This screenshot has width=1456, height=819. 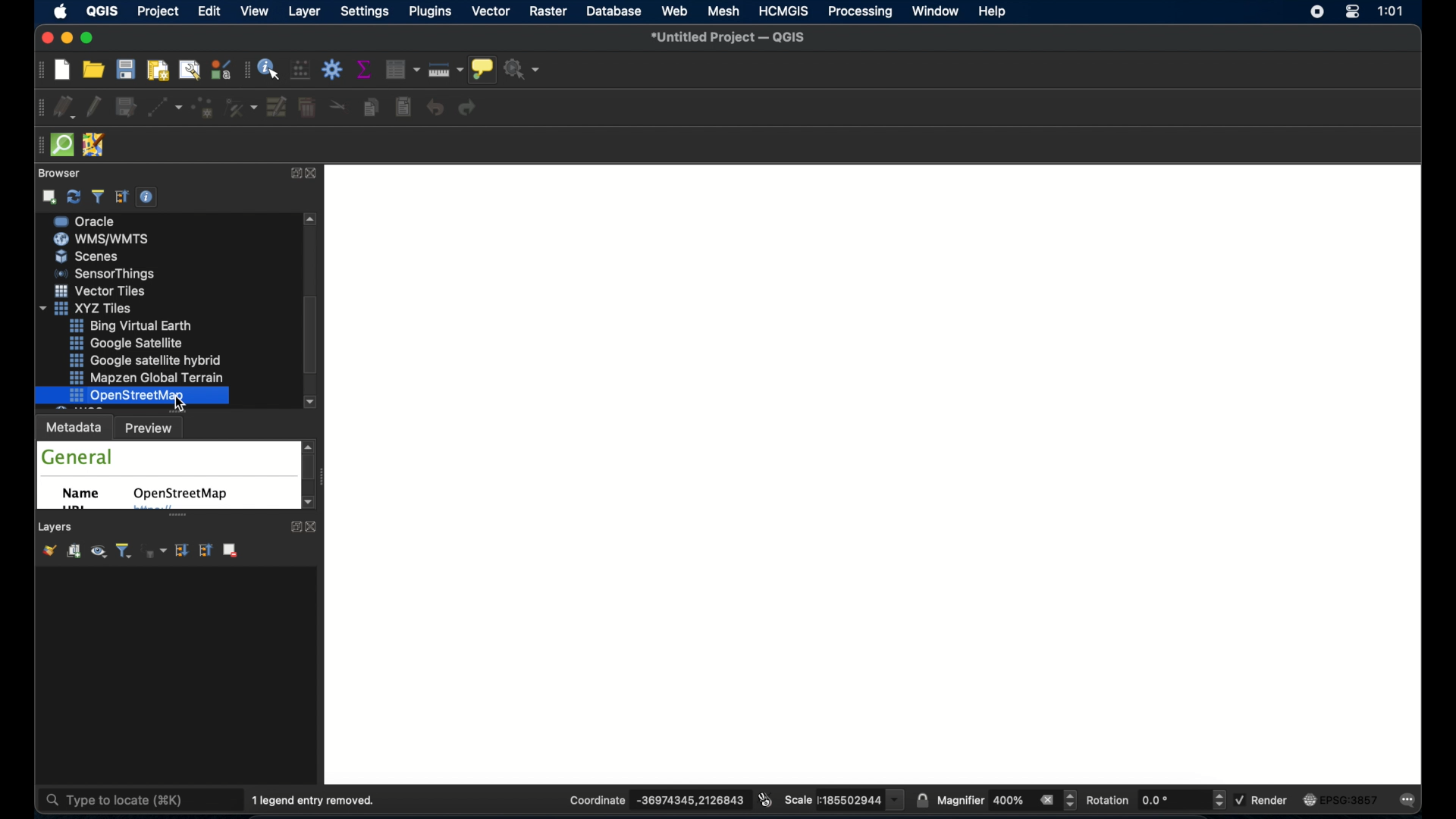 I want to click on identify feature, so click(x=268, y=71).